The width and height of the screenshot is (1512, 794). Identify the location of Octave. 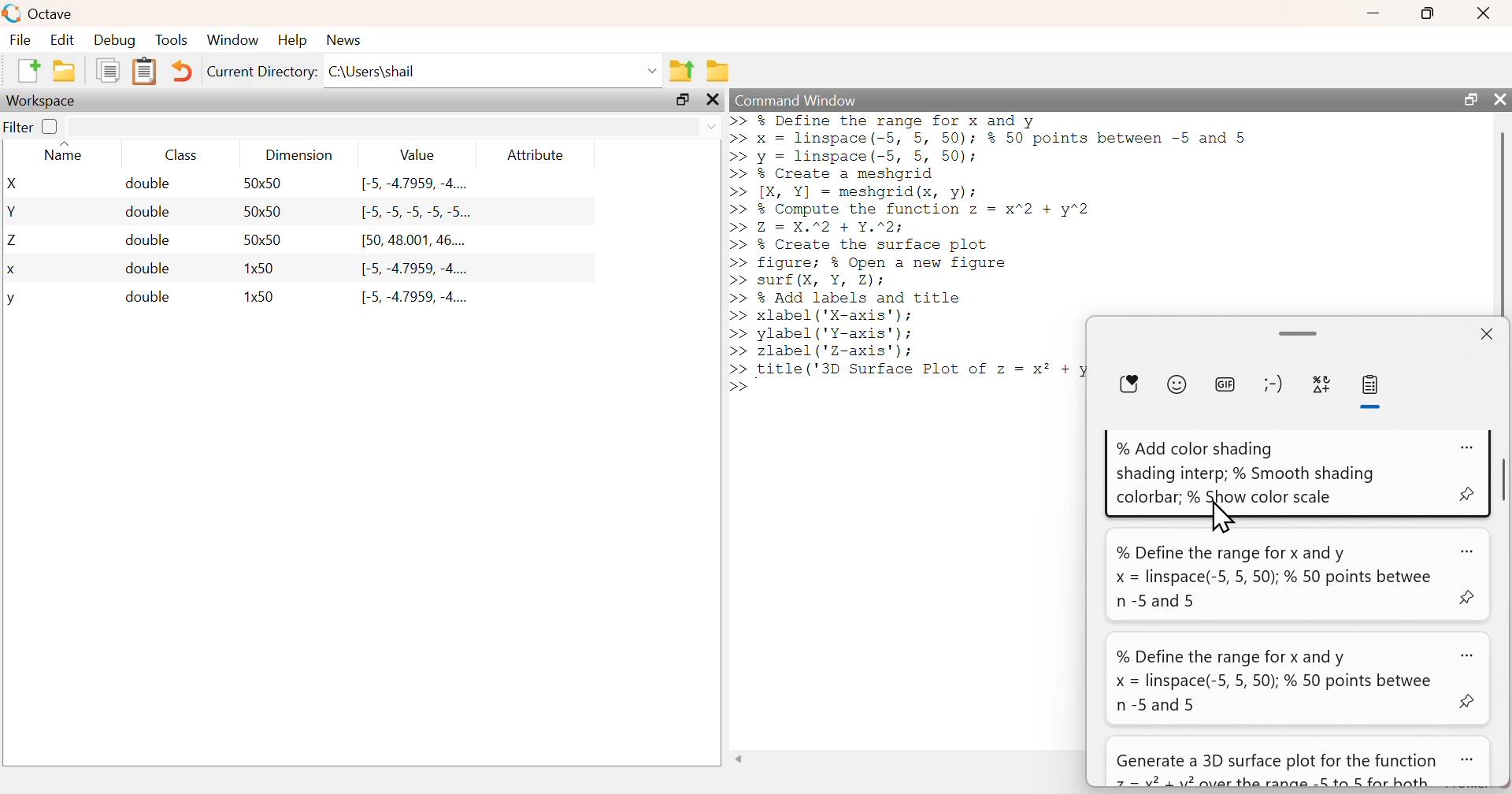
(52, 13).